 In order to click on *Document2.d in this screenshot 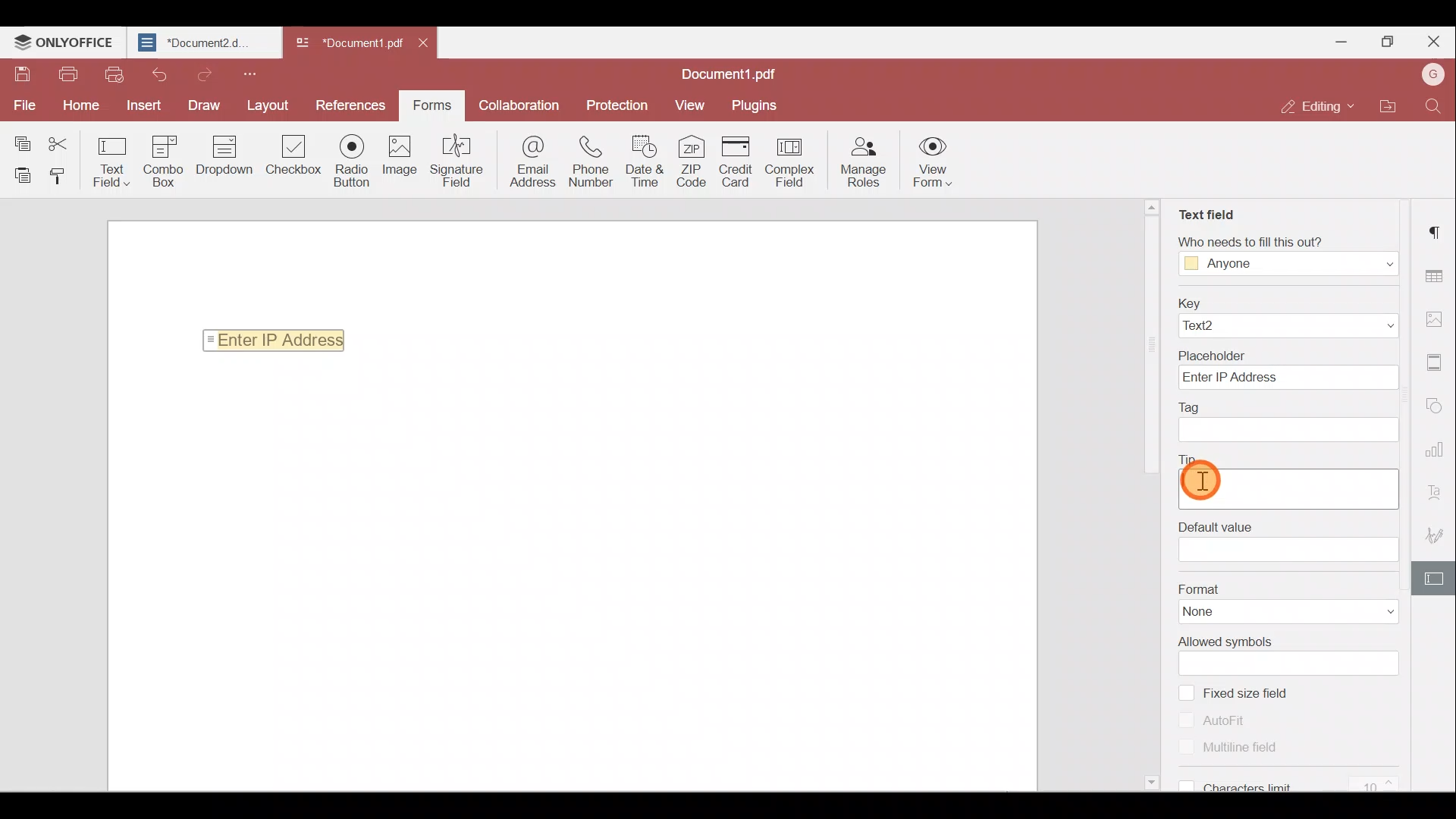, I will do `click(202, 42)`.